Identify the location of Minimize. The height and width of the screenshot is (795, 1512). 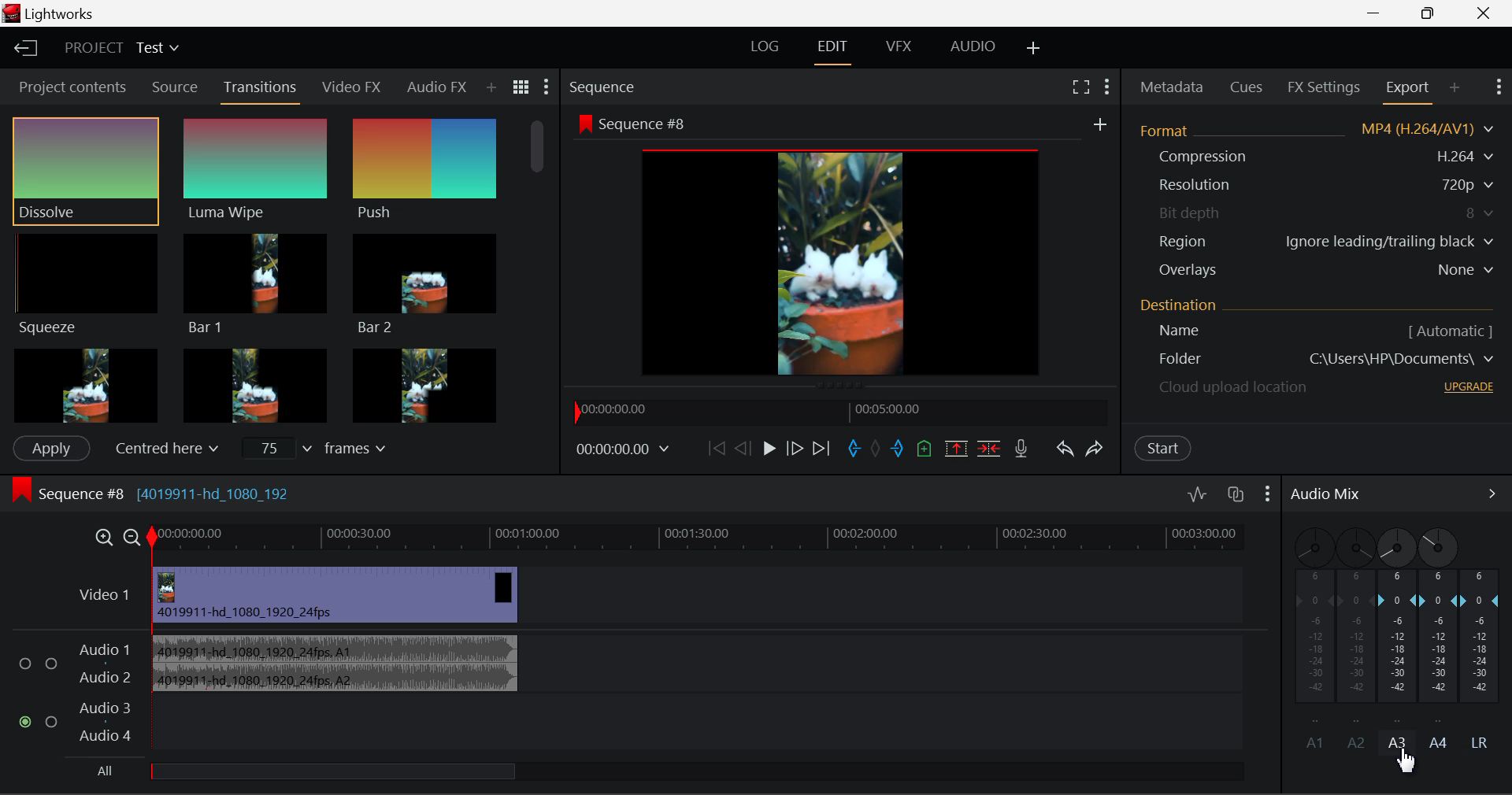
(1433, 13).